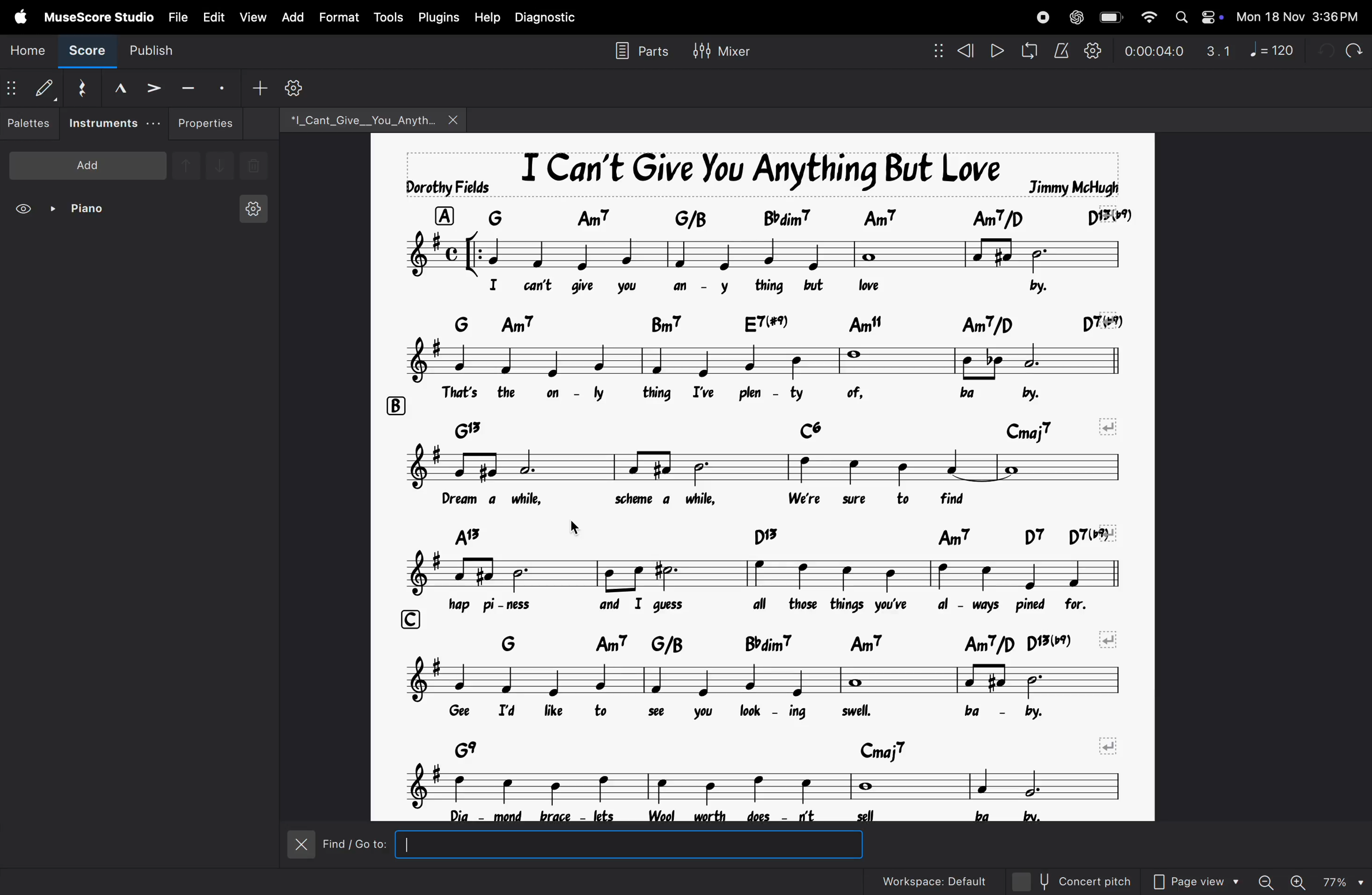 This screenshot has width=1372, height=895. I want to click on  default, so click(33, 87).